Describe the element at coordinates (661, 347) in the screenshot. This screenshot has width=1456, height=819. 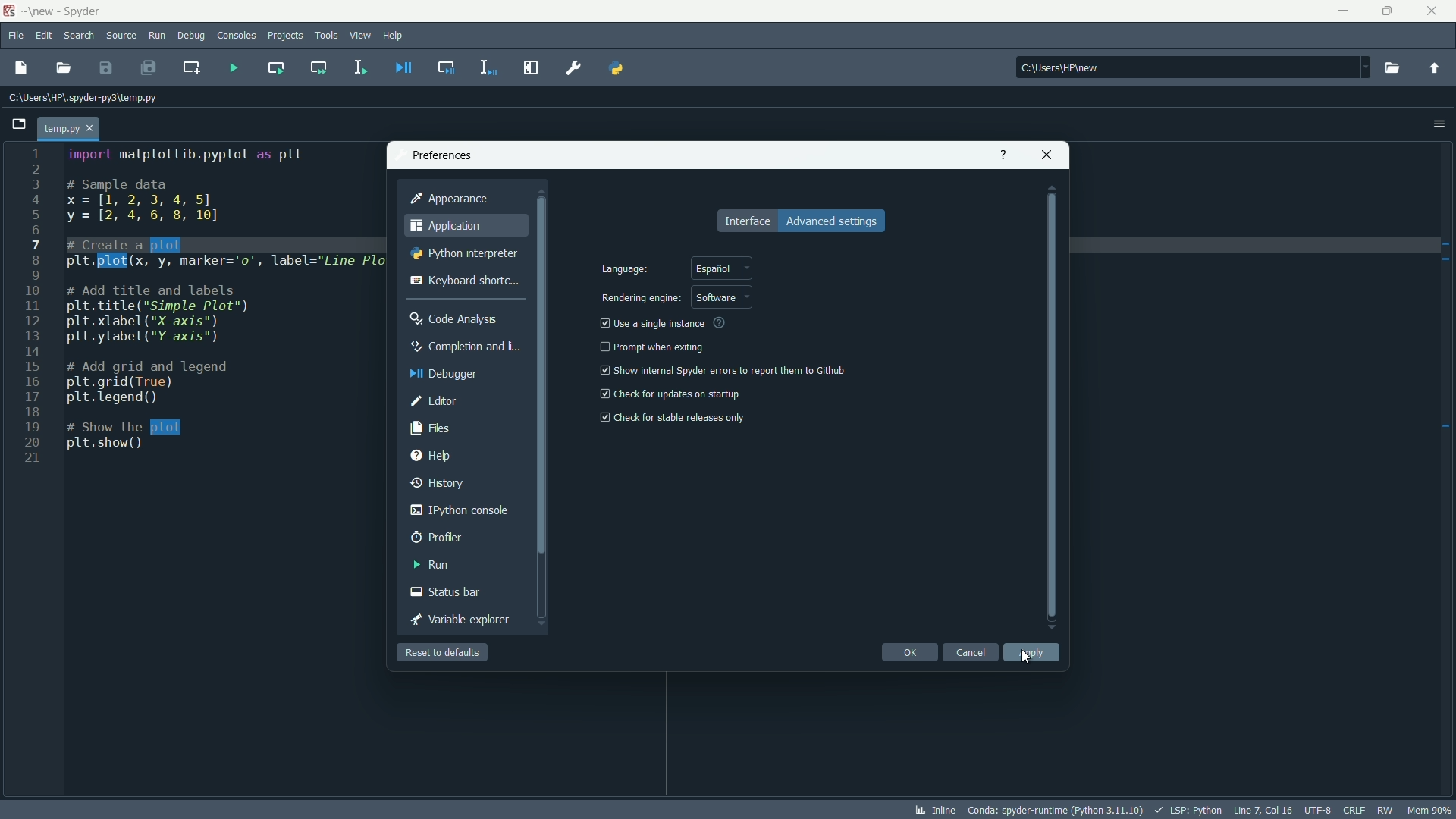
I see `prompt when exiting` at that location.